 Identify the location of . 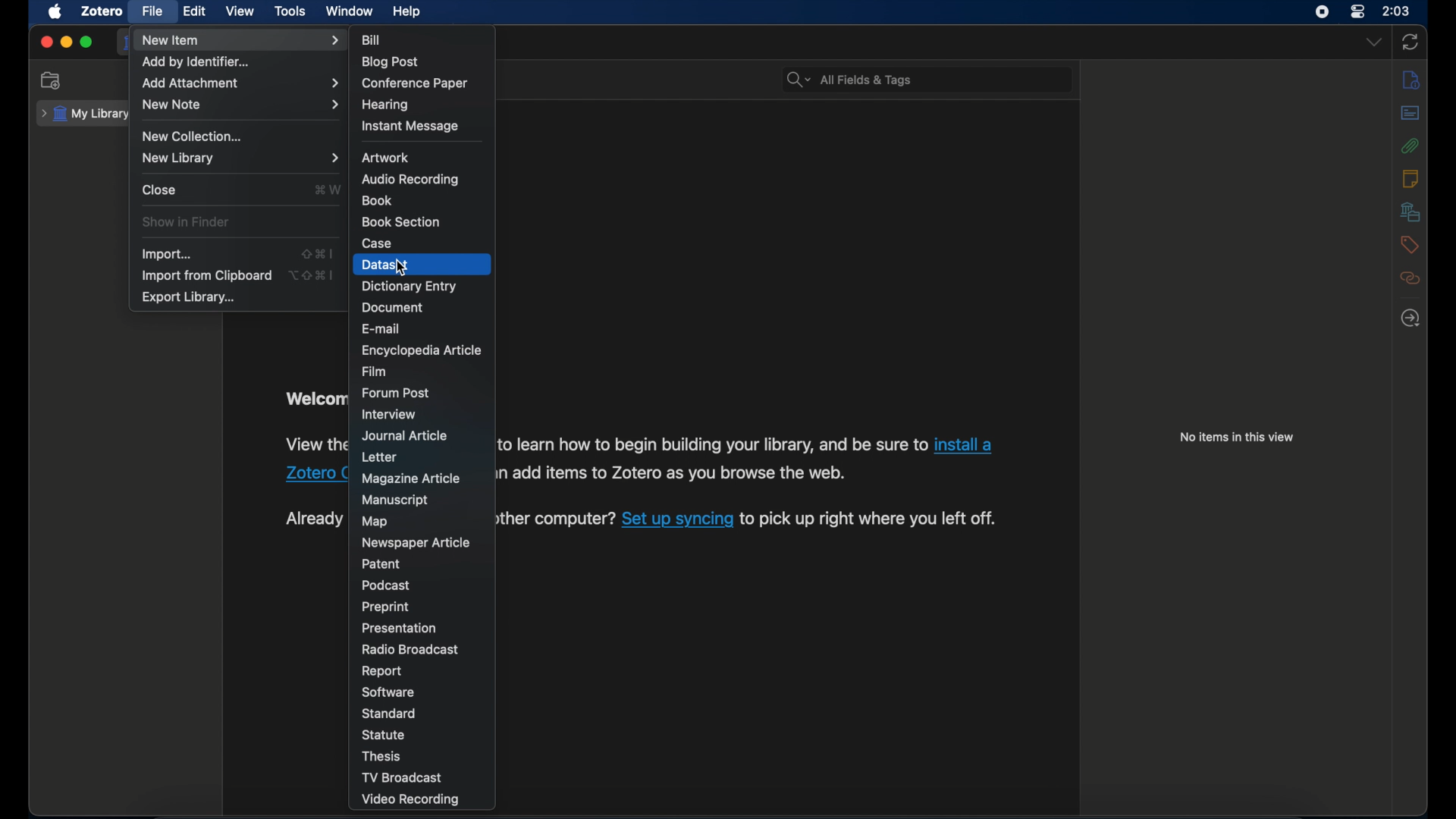
(867, 520).